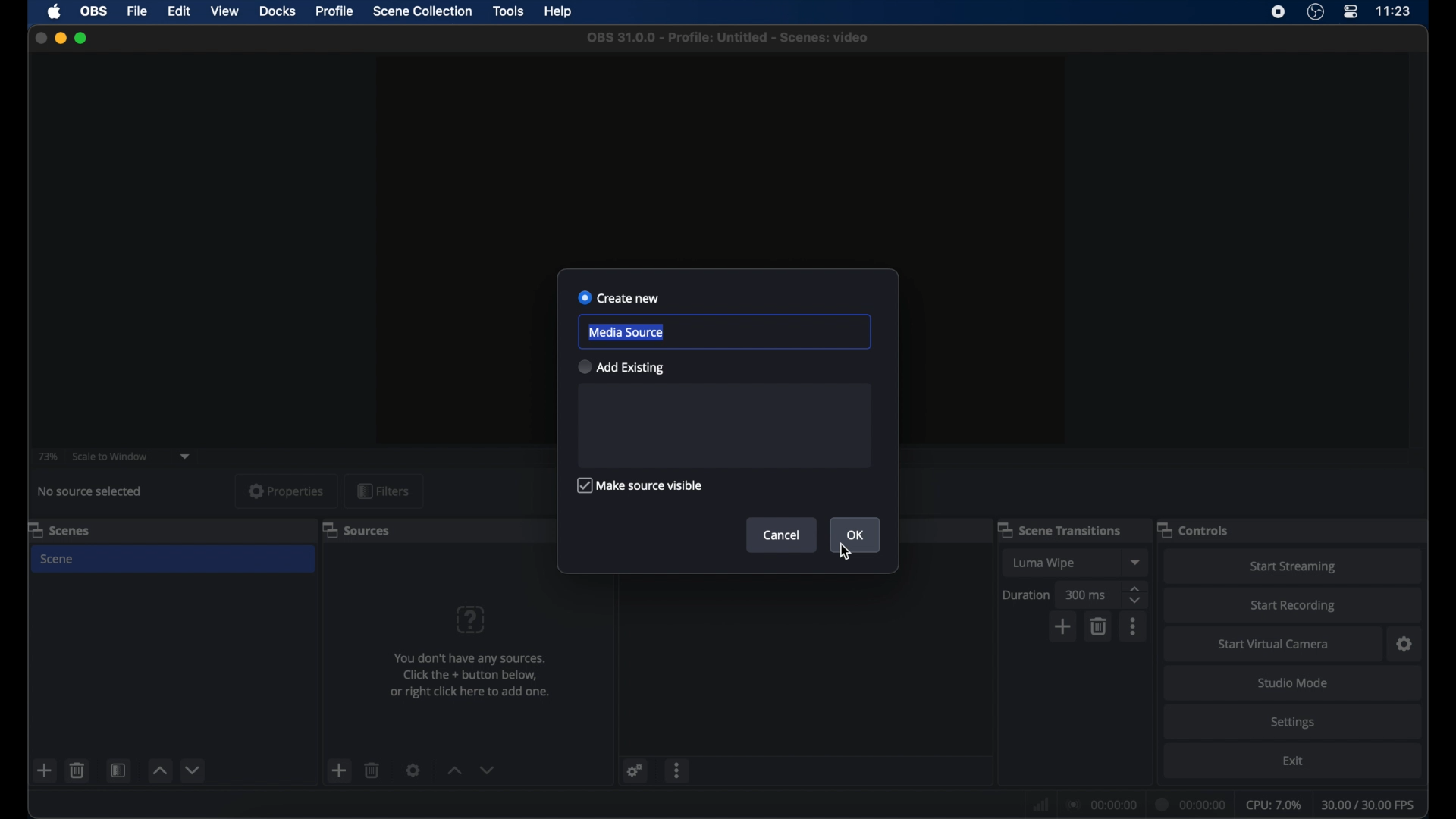  What do you see at coordinates (287, 490) in the screenshot?
I see `properties` at bounding box center [287, 490].